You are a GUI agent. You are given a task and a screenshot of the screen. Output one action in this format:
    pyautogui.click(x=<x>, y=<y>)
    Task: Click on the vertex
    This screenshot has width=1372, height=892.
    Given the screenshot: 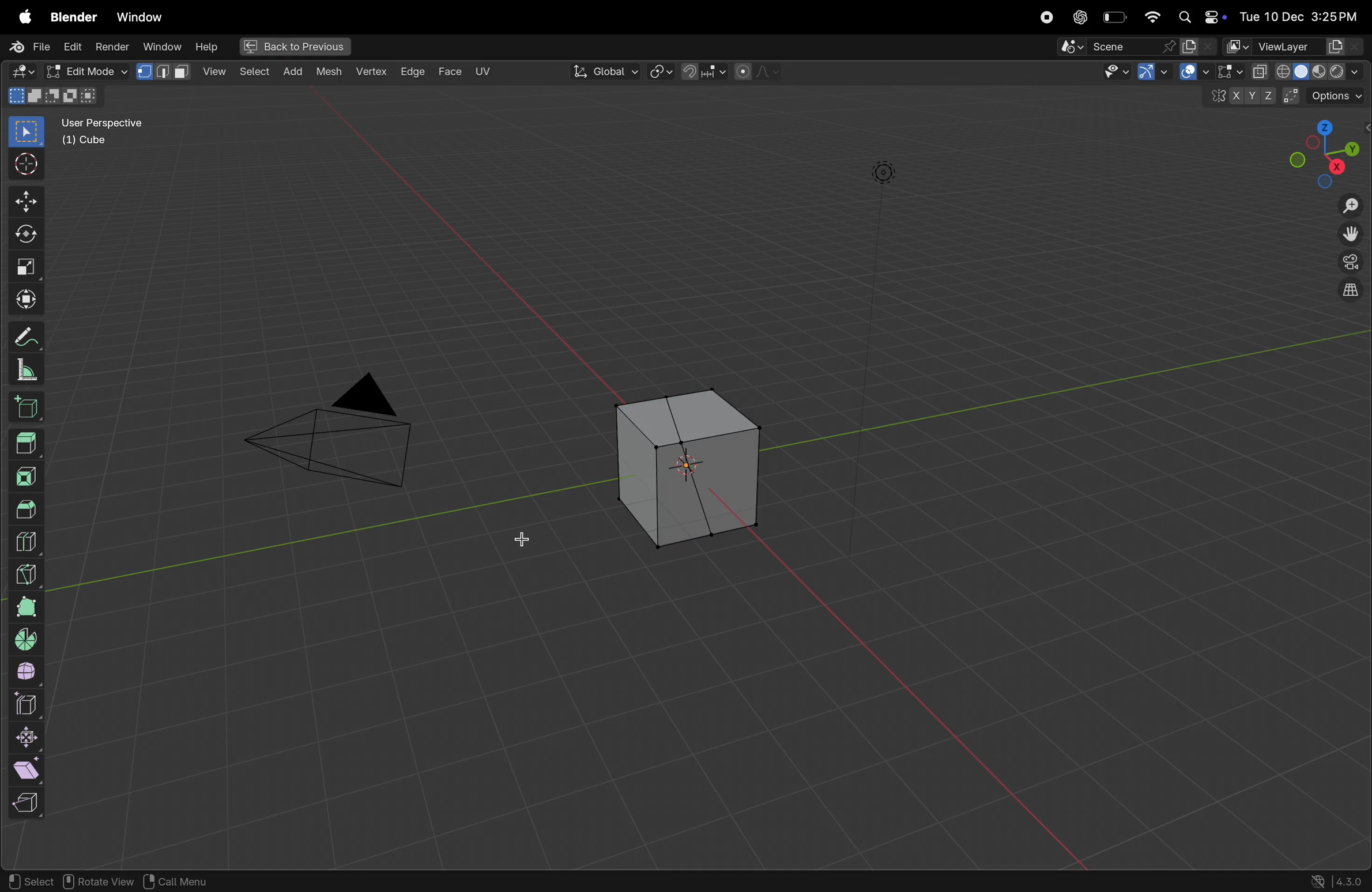 What is the action you would take?
    pyautogui.click(x=372, y=73)
    